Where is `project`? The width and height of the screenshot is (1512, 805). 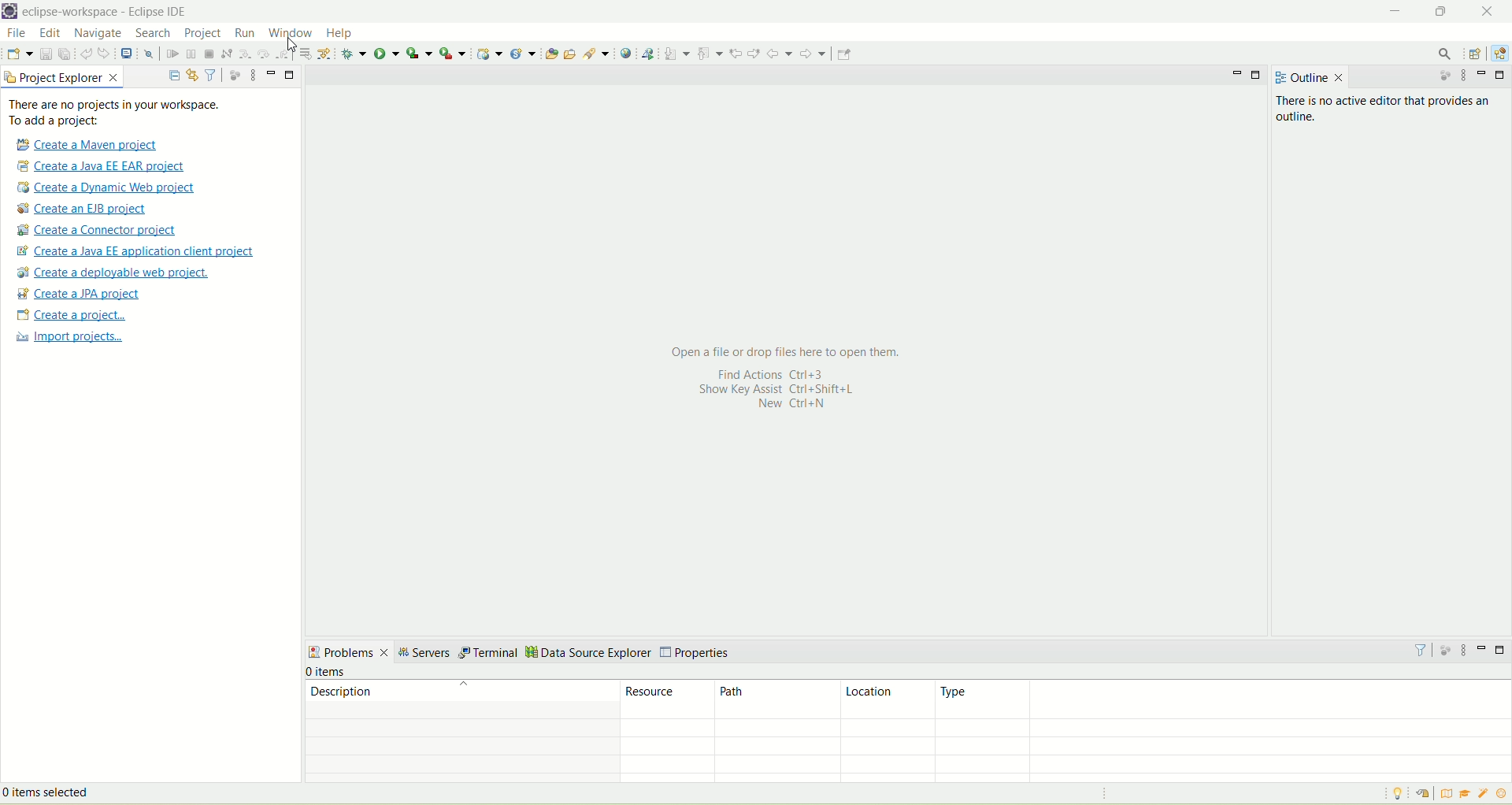
project is located at coordinates (202, 33).